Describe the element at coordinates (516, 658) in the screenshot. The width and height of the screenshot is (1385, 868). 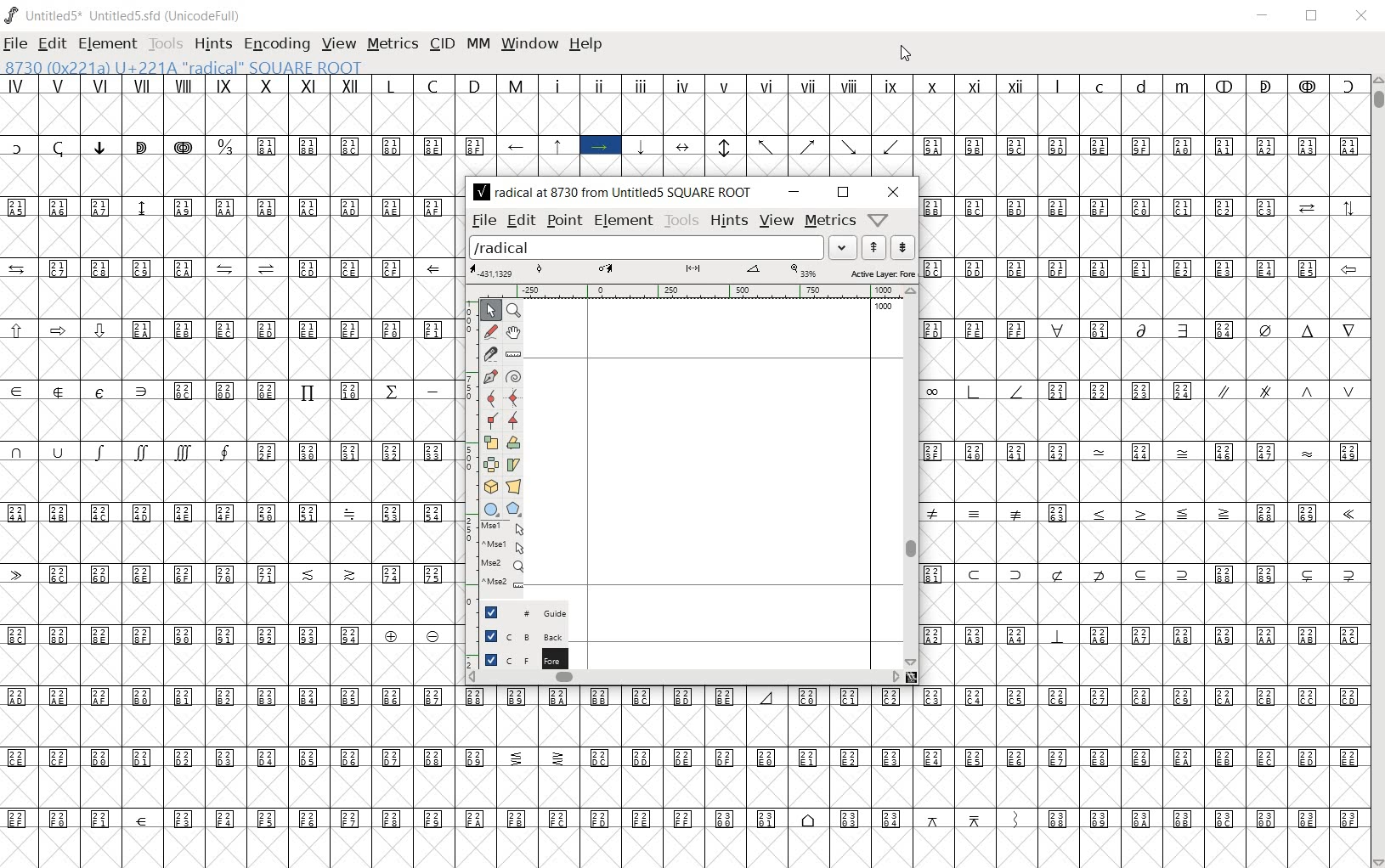
I see `foreground` at that location.